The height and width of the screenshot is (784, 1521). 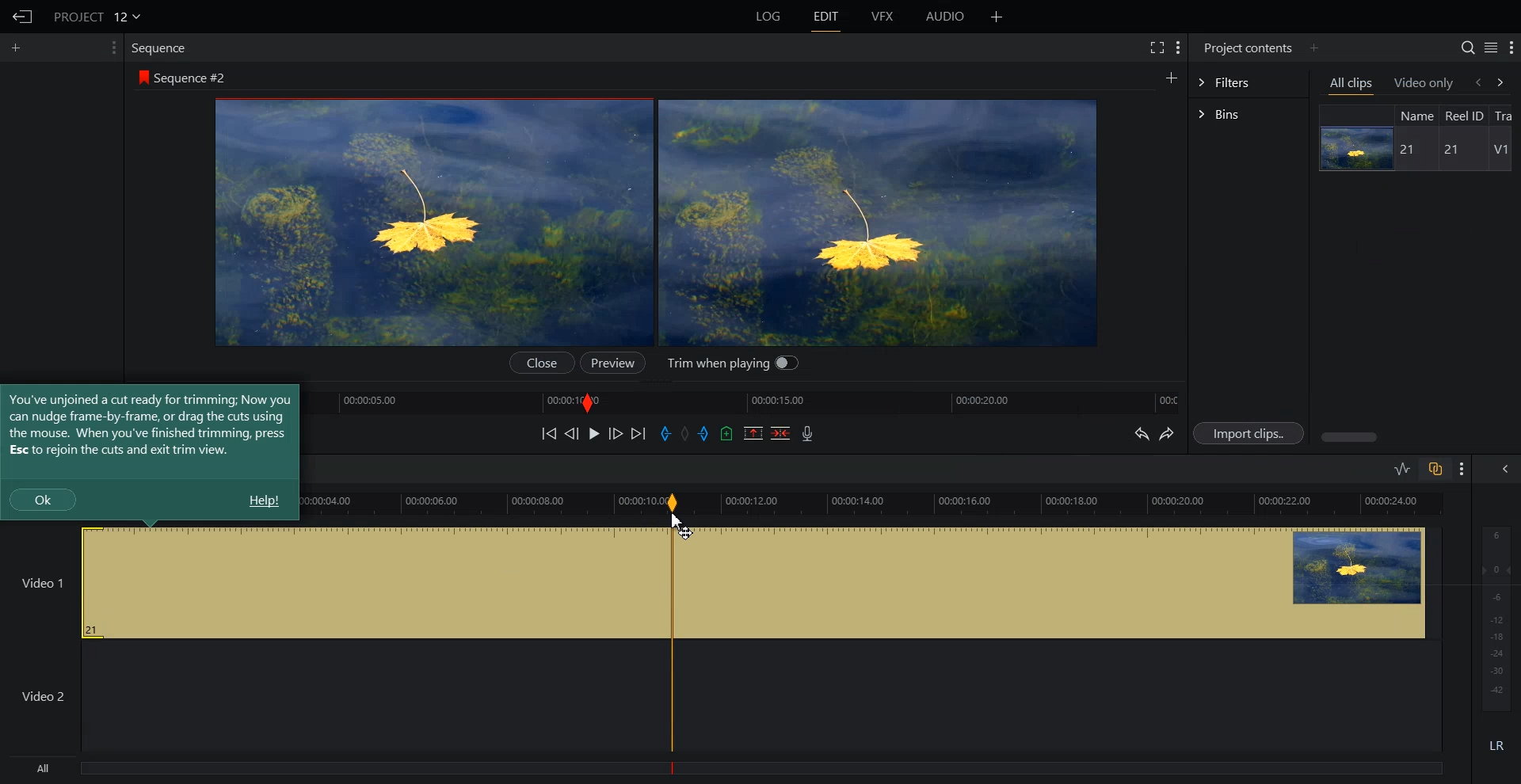 What do you see at coordinates (1248, 82) in the screenshot?
I see `Filters` at bounding box center [1248, 82].